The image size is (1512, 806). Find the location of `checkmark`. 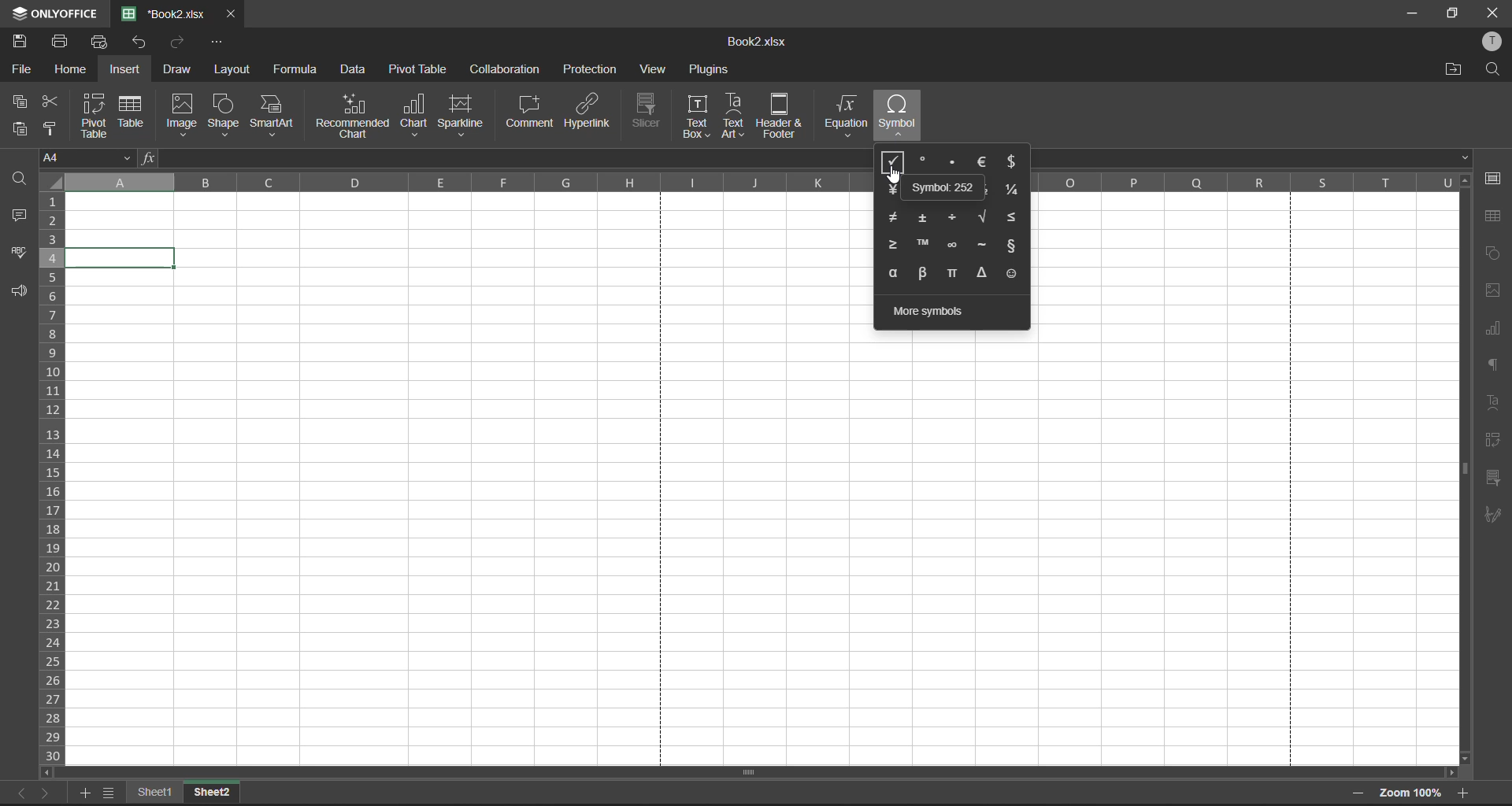

checkmark is located at coordinates (895, 161).